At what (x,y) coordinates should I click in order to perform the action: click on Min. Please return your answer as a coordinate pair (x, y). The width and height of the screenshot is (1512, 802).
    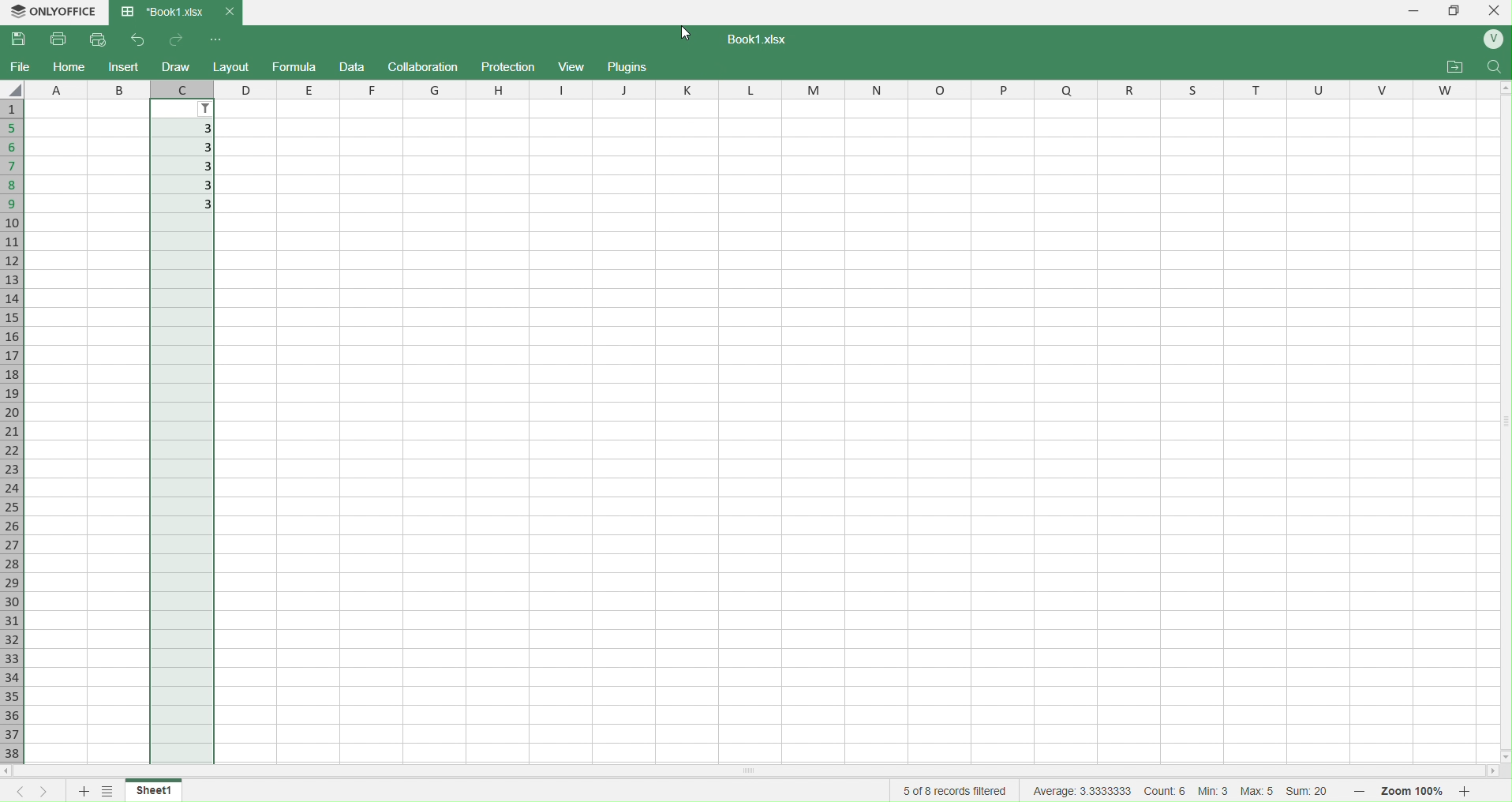
    Looking at the image, I should click on (1214, 792).